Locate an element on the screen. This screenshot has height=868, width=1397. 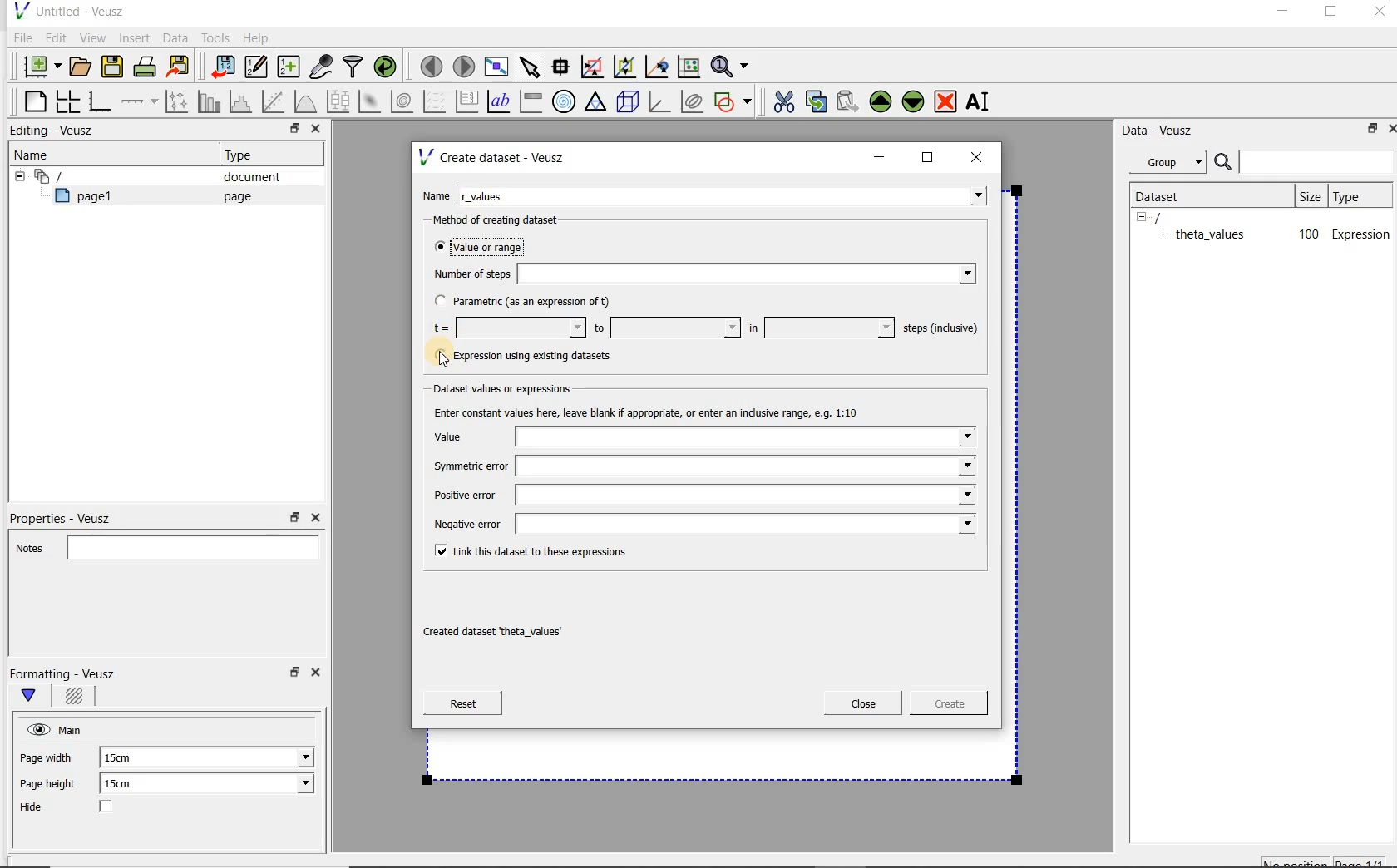
page1 is located at coordinates (91, 199).